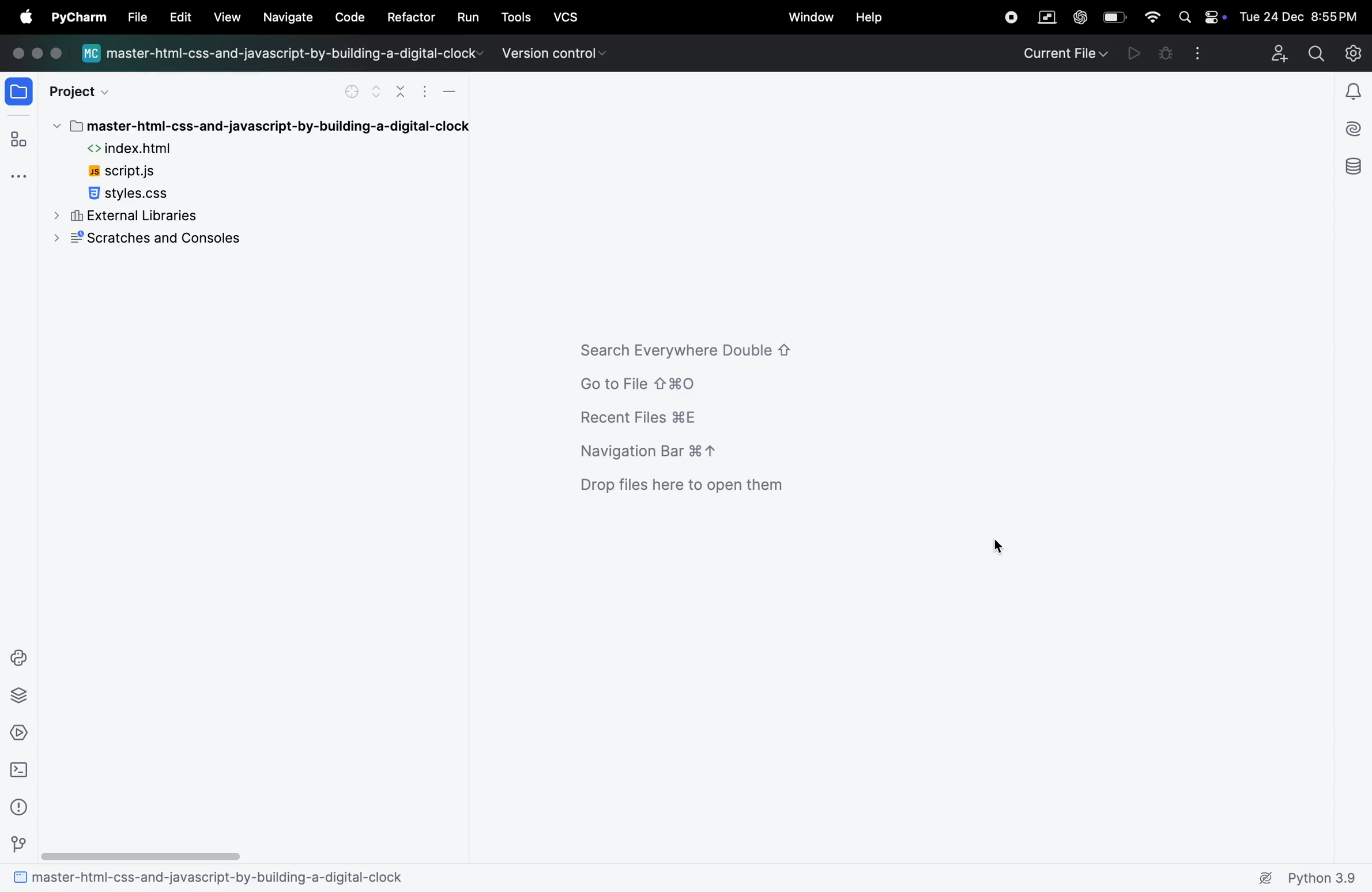 The height and width of the screenshot is (892, 1372). What do you see at coordinates (646, 419) in the screenshot?
I see `recent files` at bounding box center [646, 419].